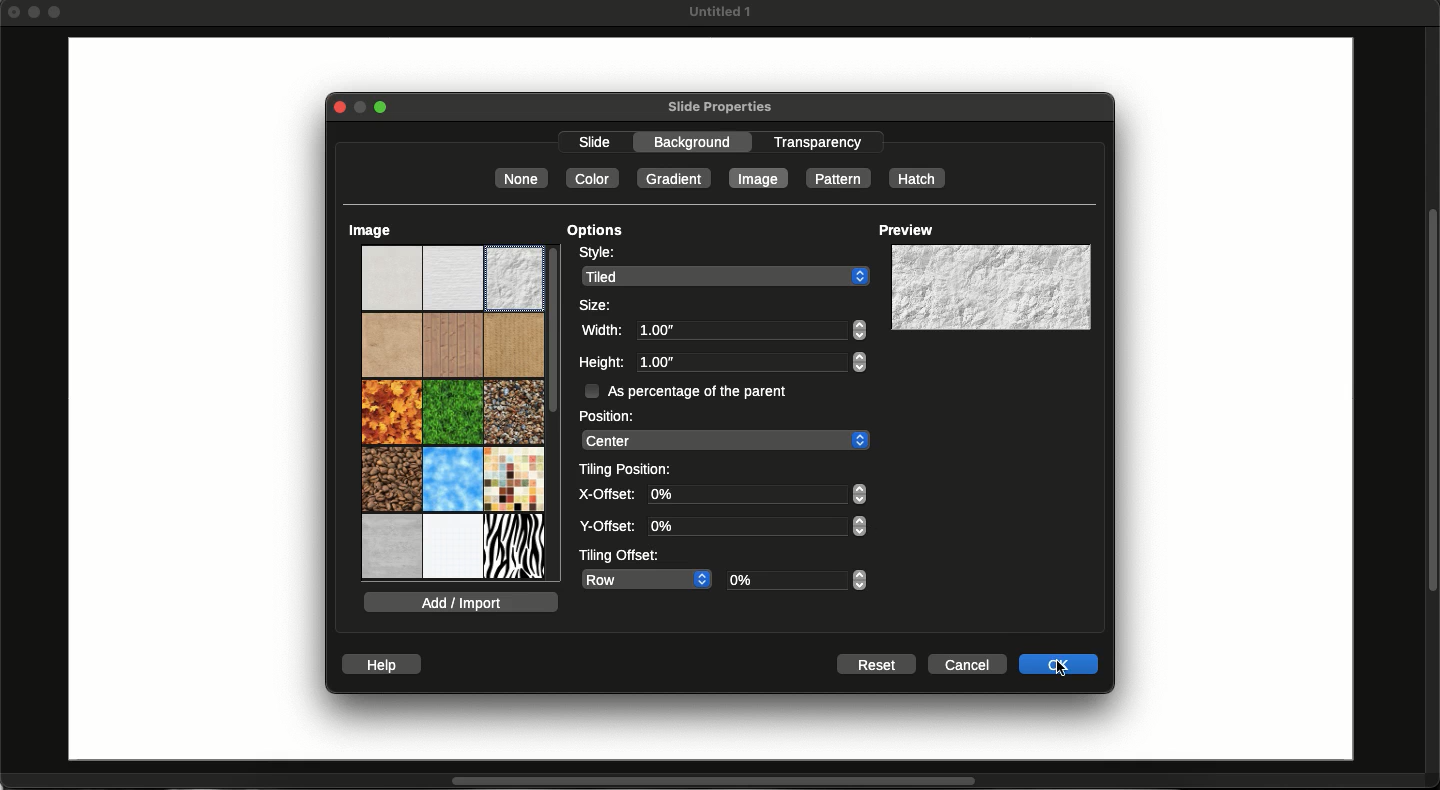  I want to click on OK, so click(1060, 663).